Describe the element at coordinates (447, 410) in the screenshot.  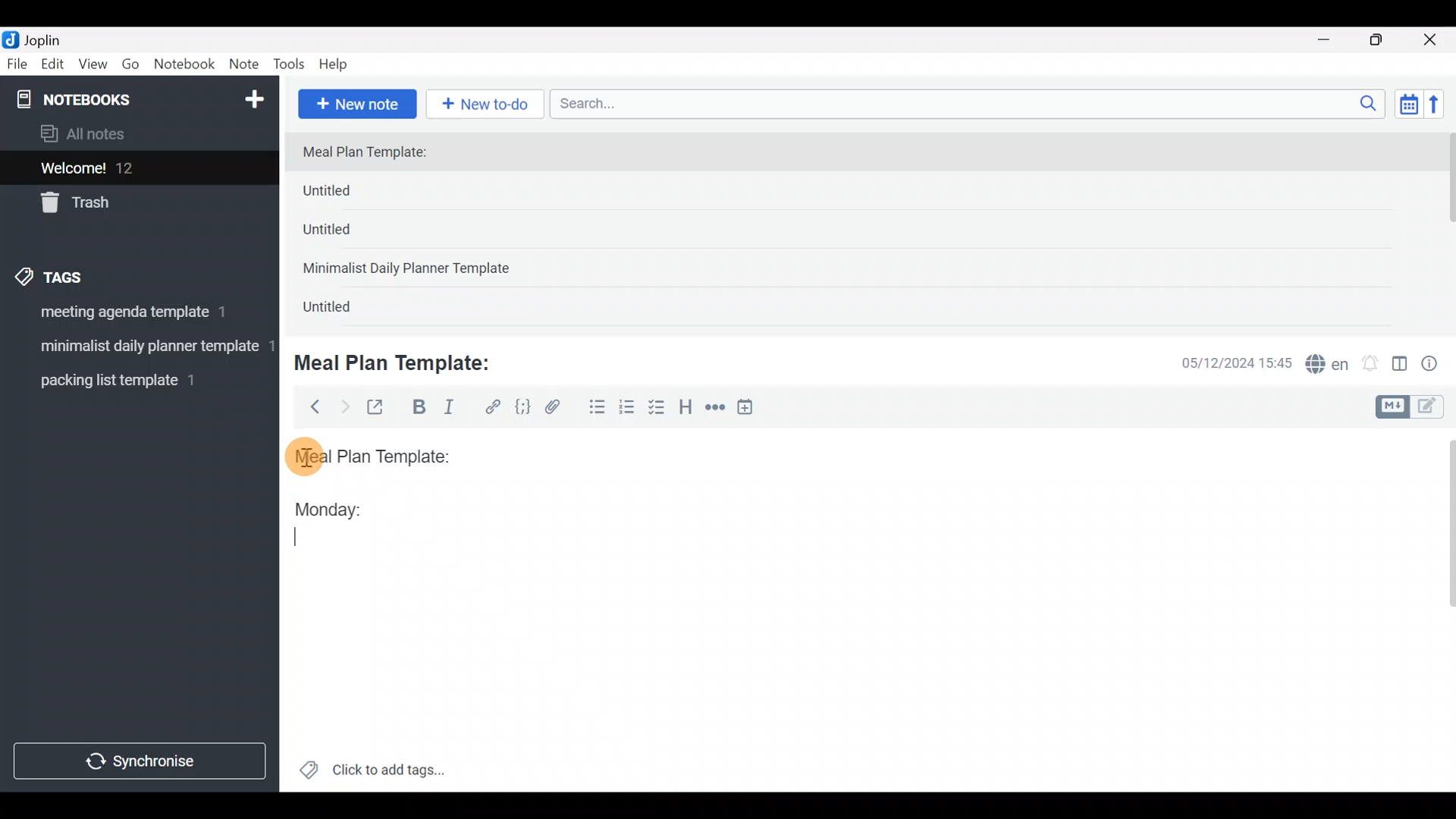
I see `Italic` at that location.